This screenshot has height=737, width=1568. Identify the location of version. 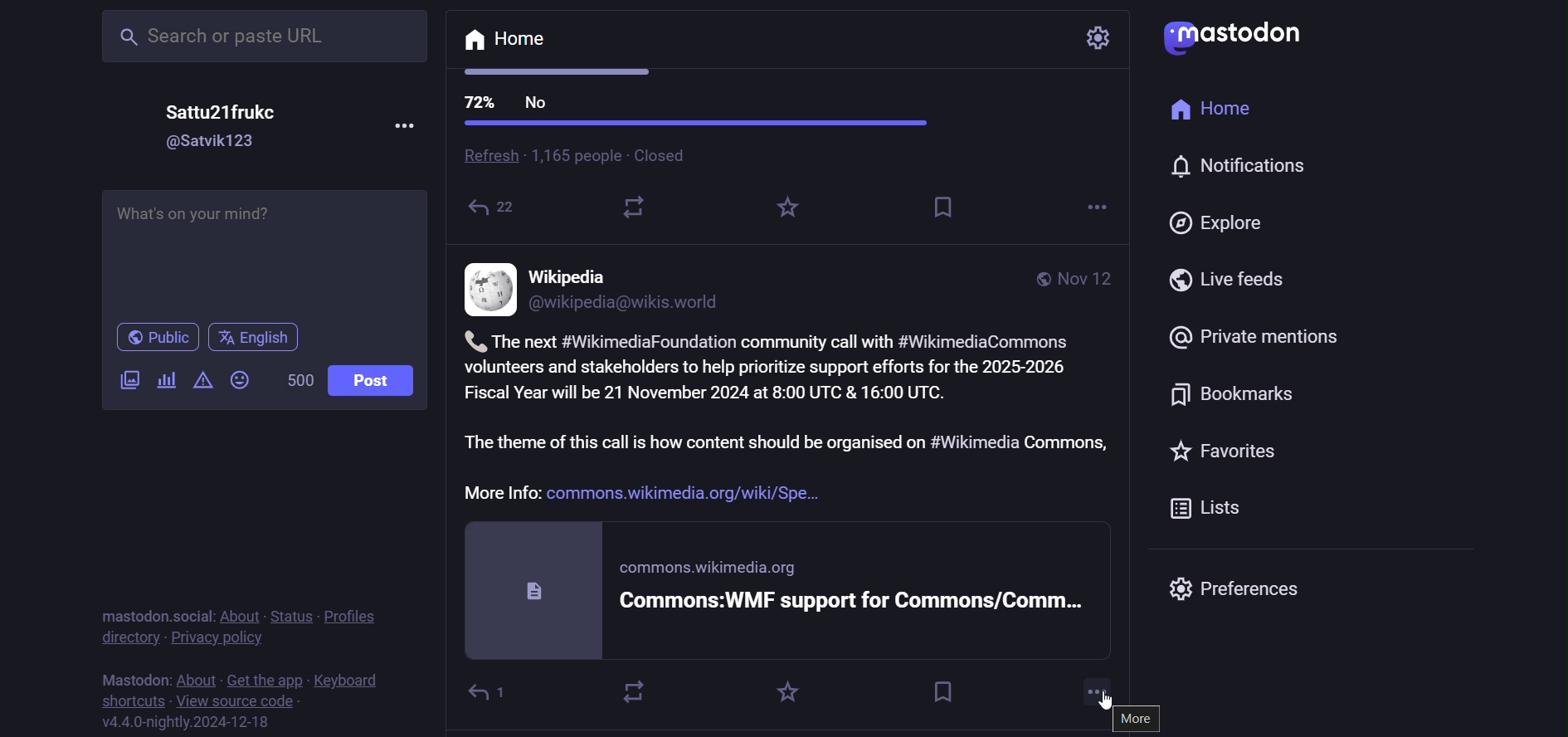
(195, 725).